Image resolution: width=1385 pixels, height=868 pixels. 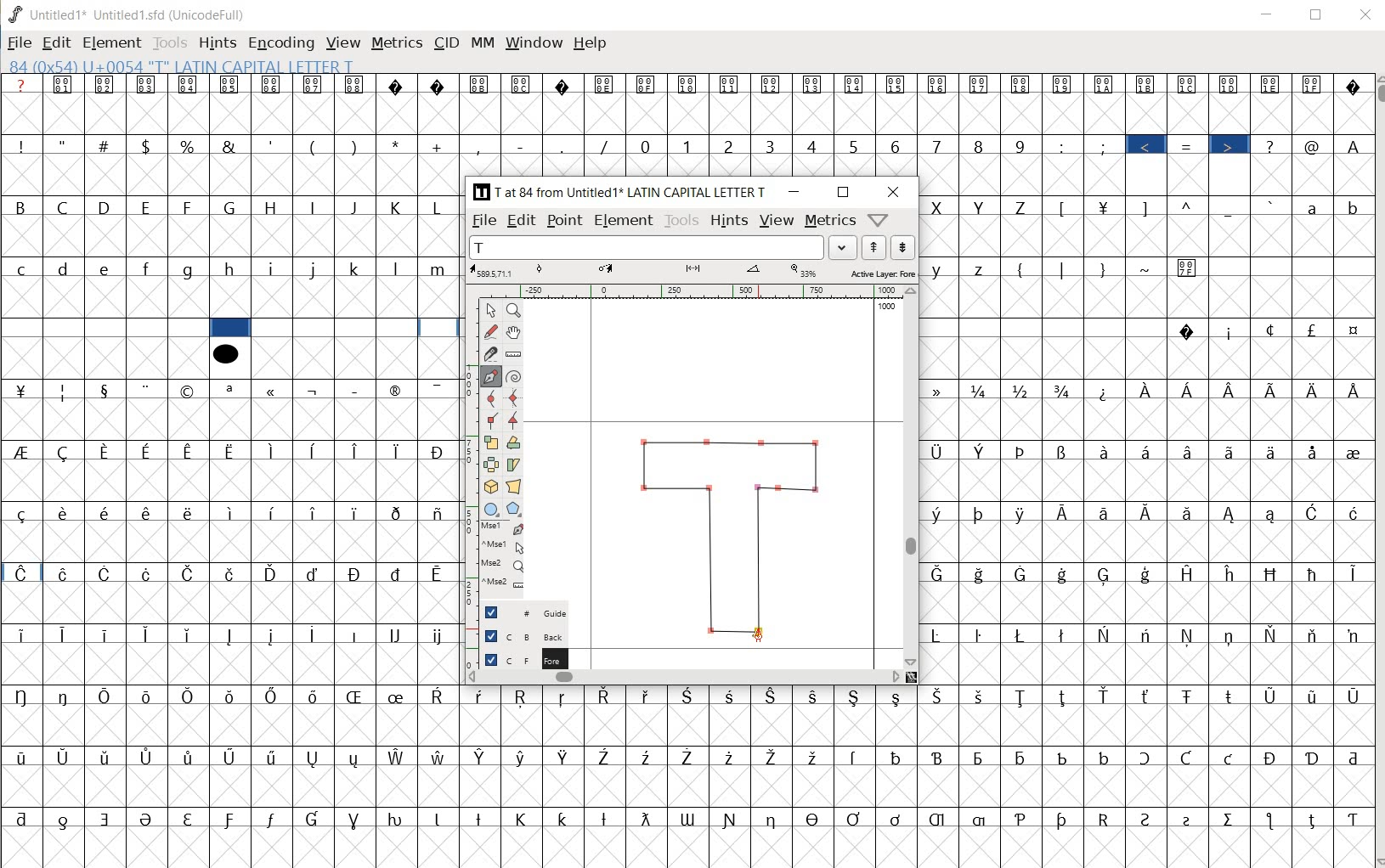 What do you see at coordinates (690, 695) in the screenshot?
I see `Symbol` at bounding box center [690, 695].